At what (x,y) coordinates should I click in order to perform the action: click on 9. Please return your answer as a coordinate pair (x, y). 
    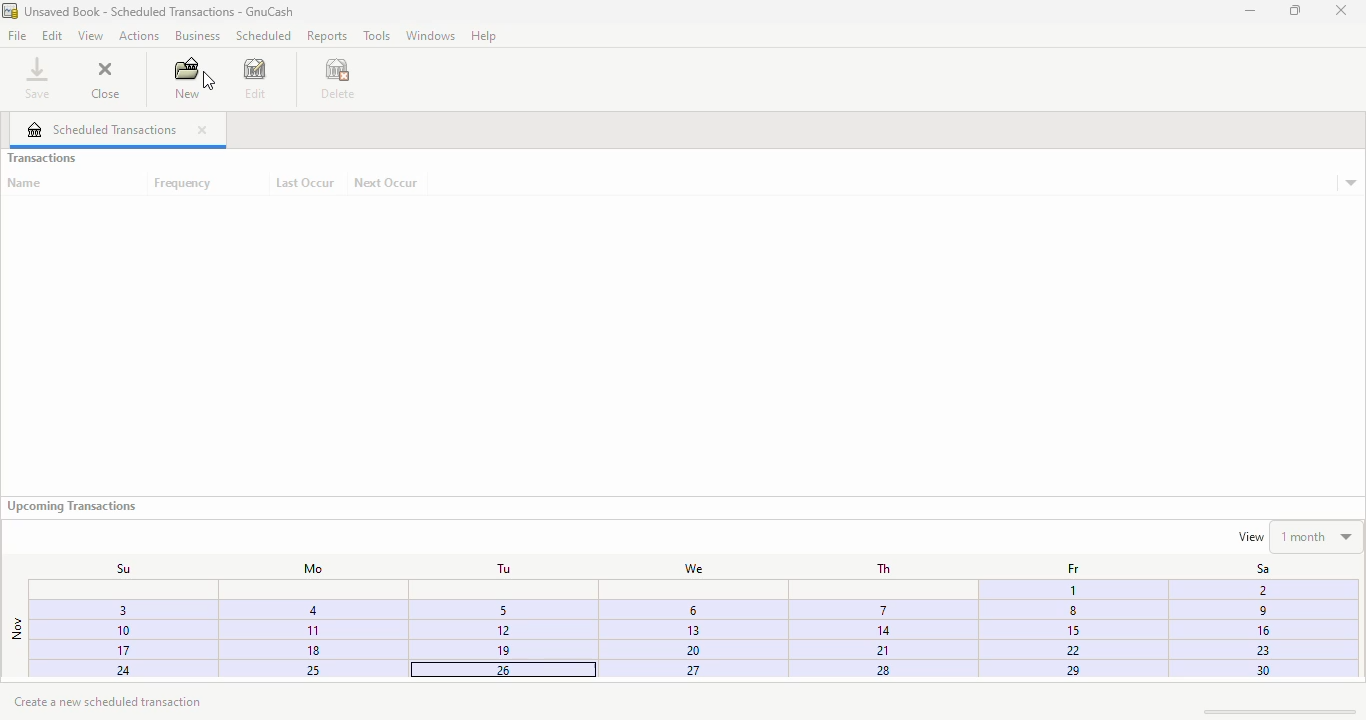
    Looking at the image, I should click on (1258, 613).